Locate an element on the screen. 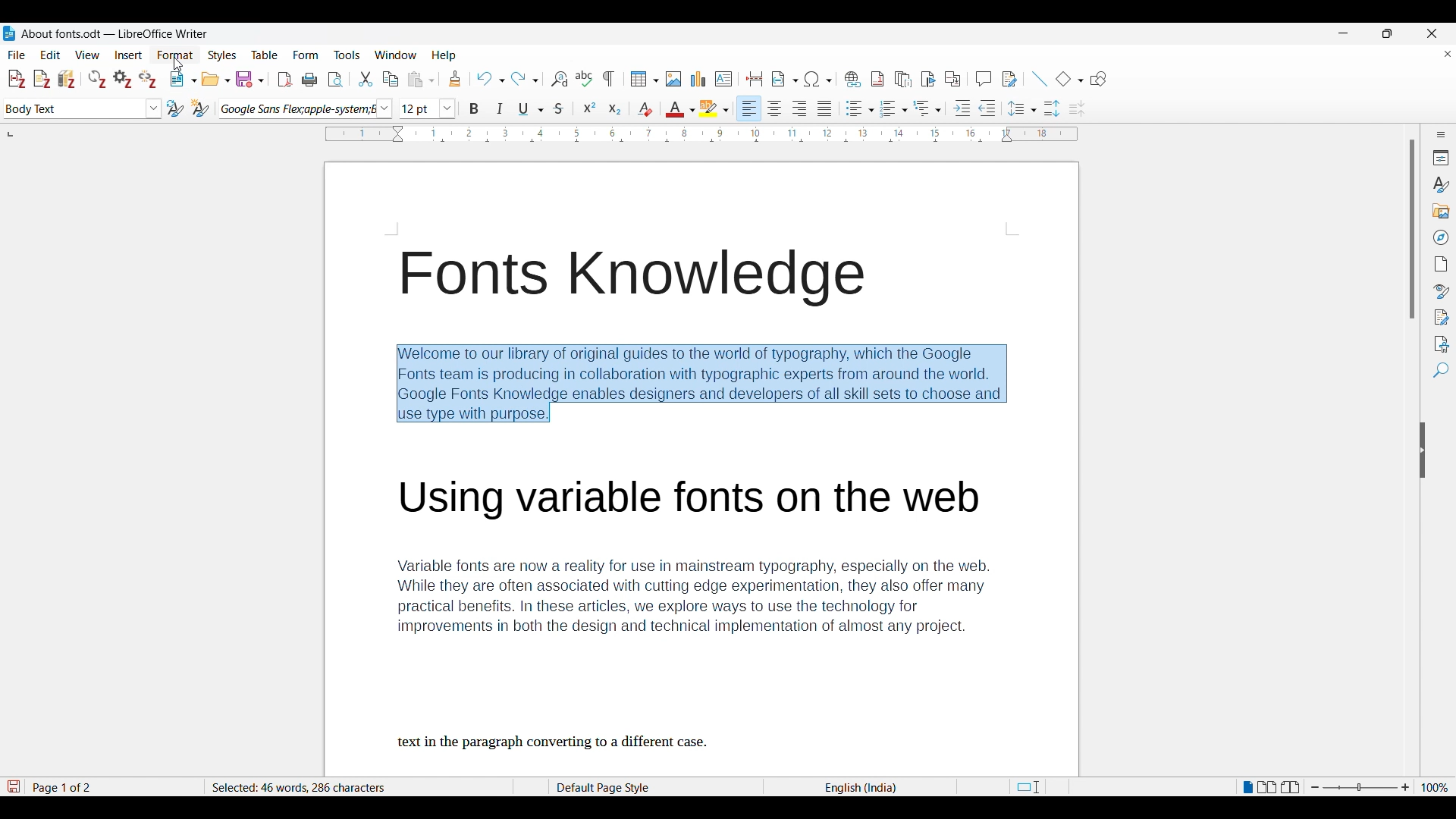 Image resolution: width=1456 pixels, height=819 pixels. Export directly as PDF is located at coordinates (285, 80).